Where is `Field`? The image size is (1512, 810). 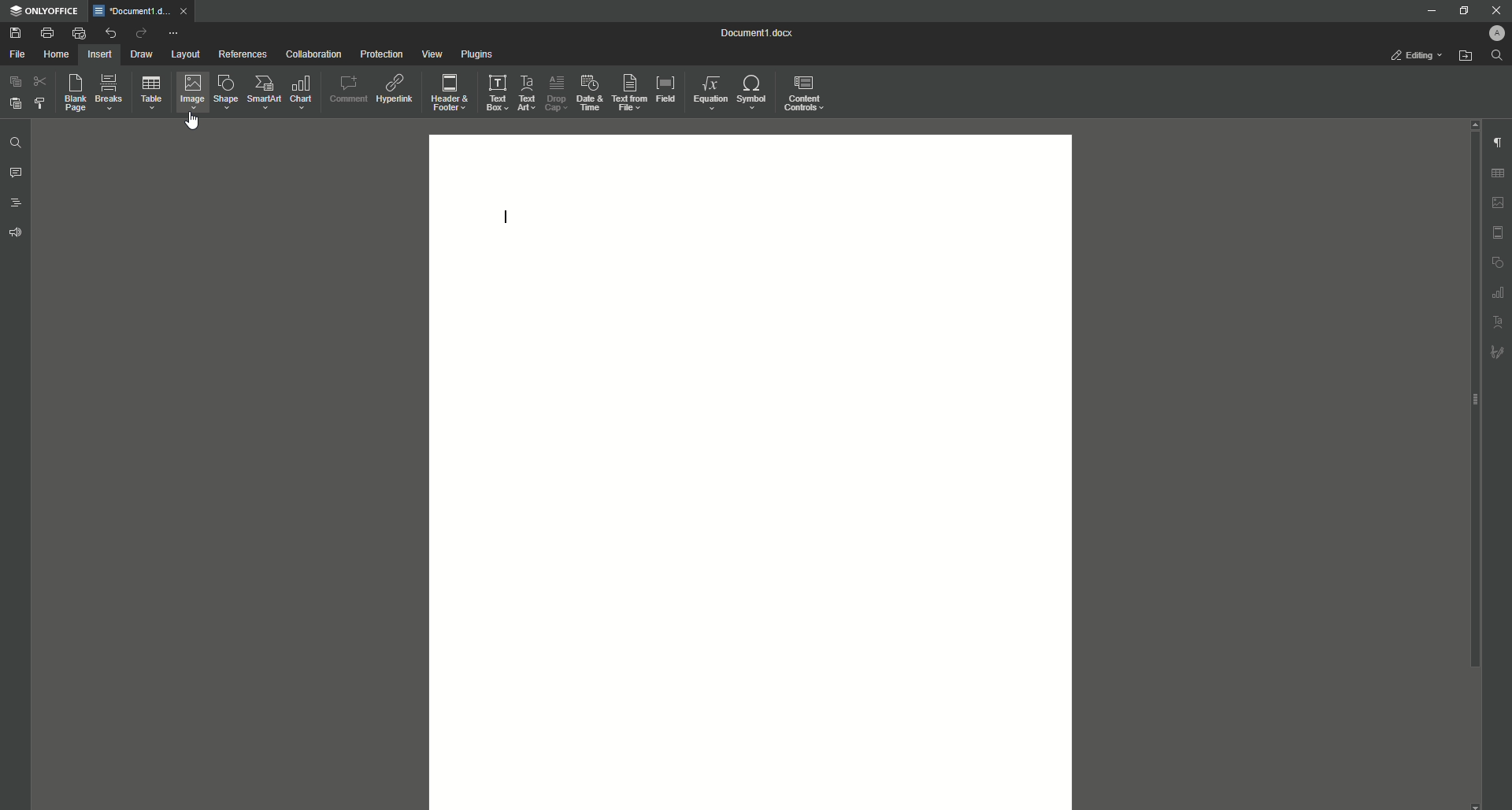
Field is located at coordinates (667, 93).